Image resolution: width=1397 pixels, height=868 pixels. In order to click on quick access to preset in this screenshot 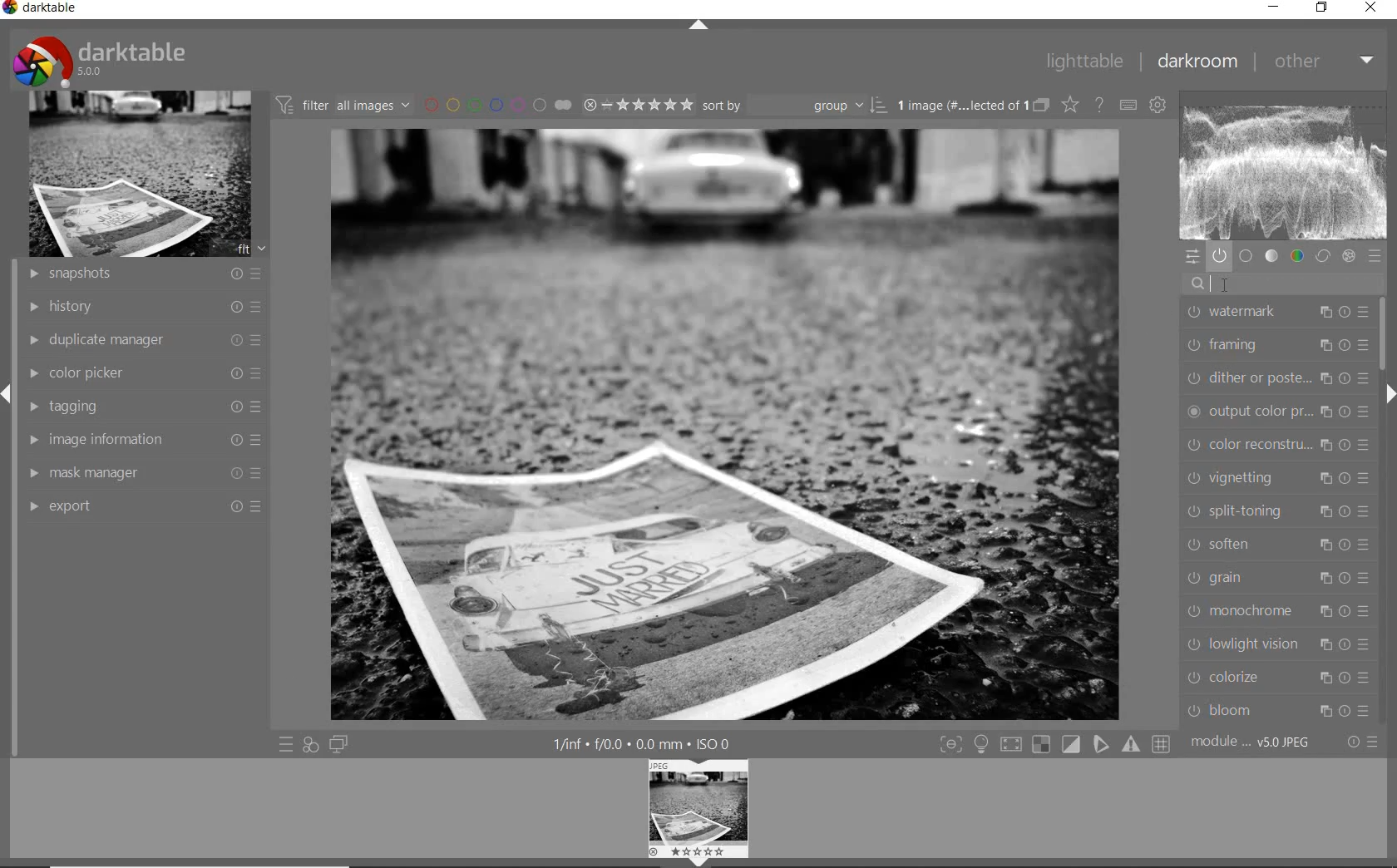, I will do `click(286, 742)`.